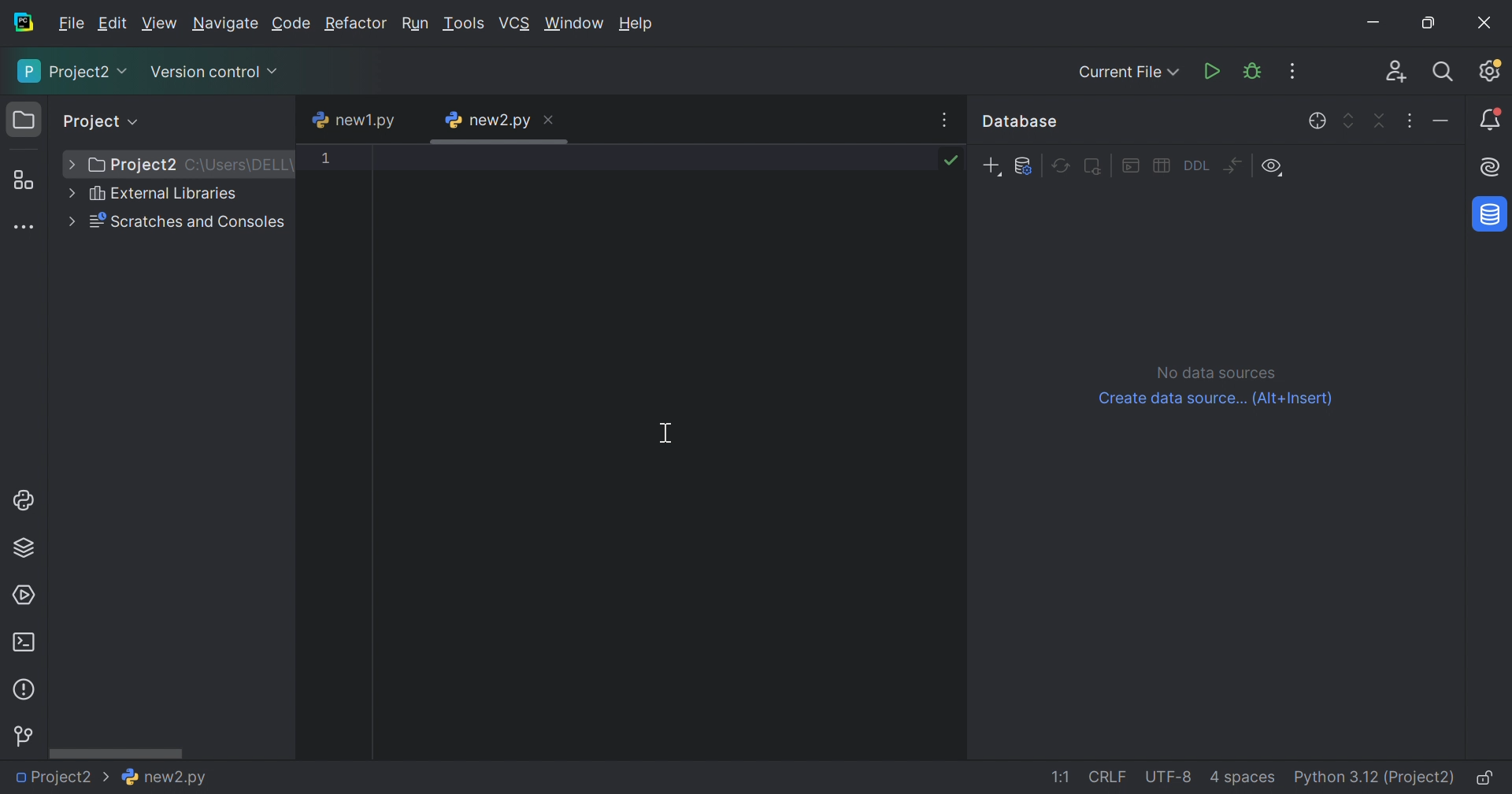  Describe the element at coordinates (1431, 24) in the screenshot. I see `Restore down` at that location.